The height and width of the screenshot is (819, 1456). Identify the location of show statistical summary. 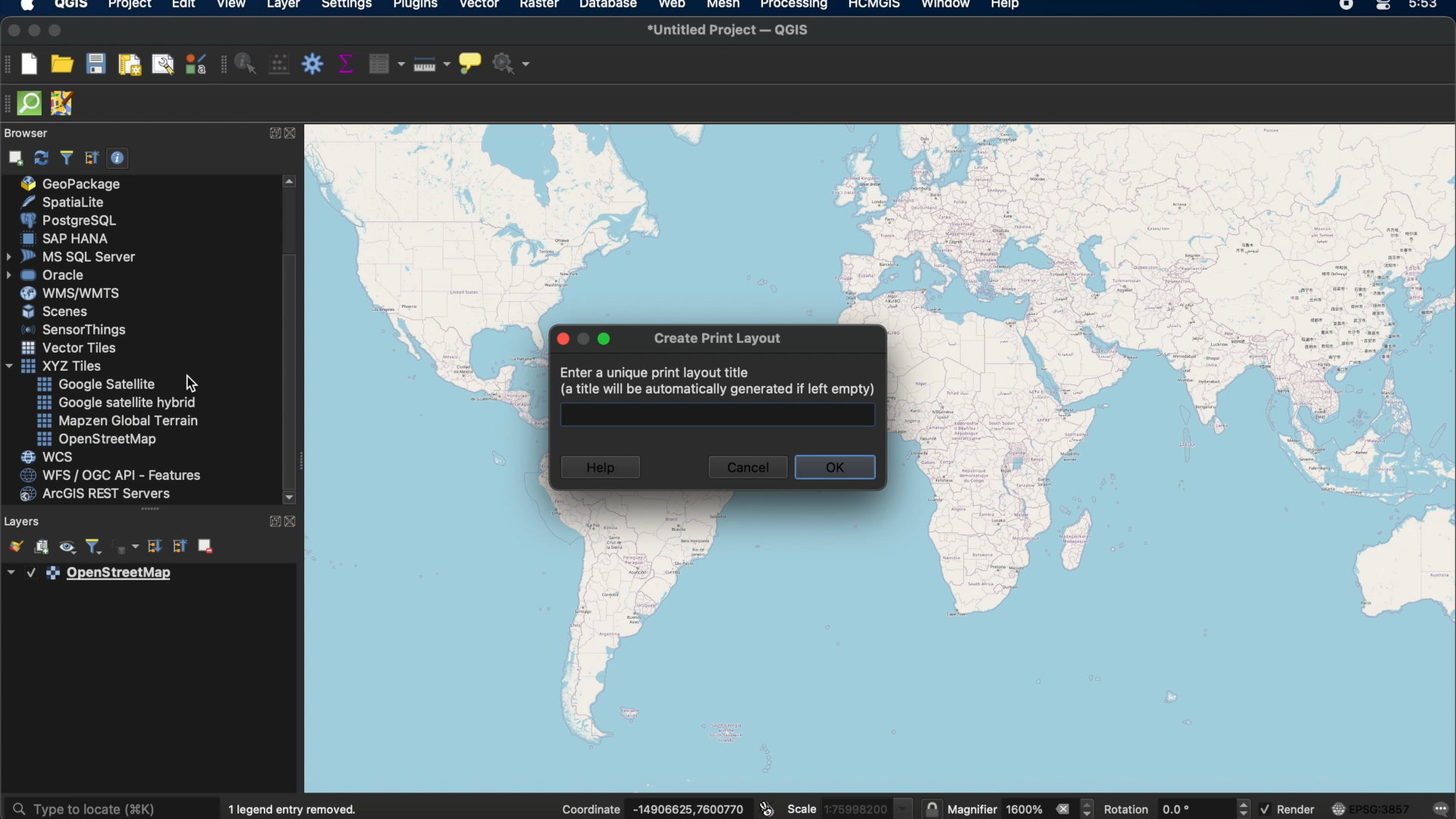
(345, 61).